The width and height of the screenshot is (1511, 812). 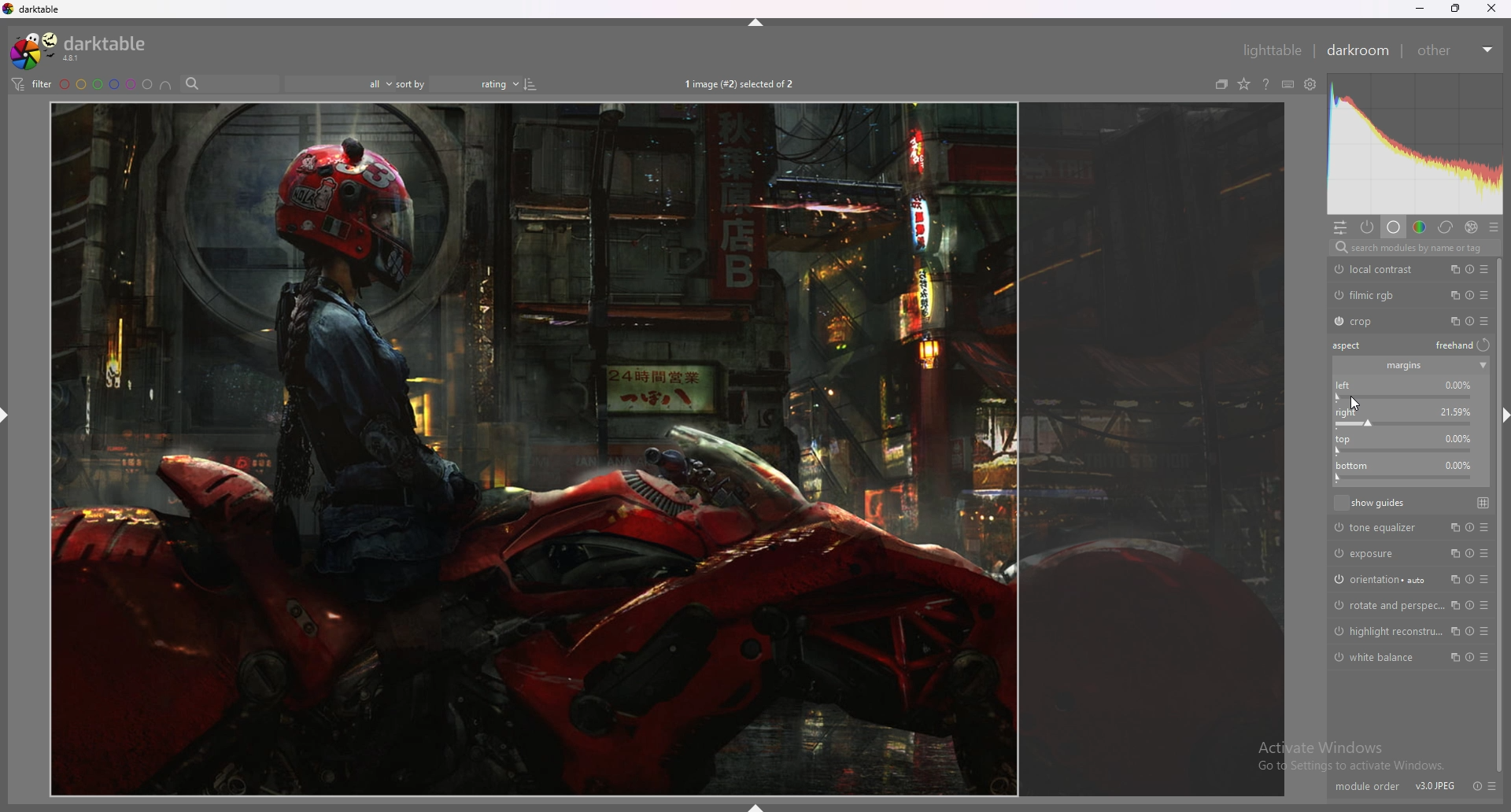 What do you see at coordinates (1387, 631) in the screenshot?
I see `highlight reconstruction` at bounding box center [1387, 631].